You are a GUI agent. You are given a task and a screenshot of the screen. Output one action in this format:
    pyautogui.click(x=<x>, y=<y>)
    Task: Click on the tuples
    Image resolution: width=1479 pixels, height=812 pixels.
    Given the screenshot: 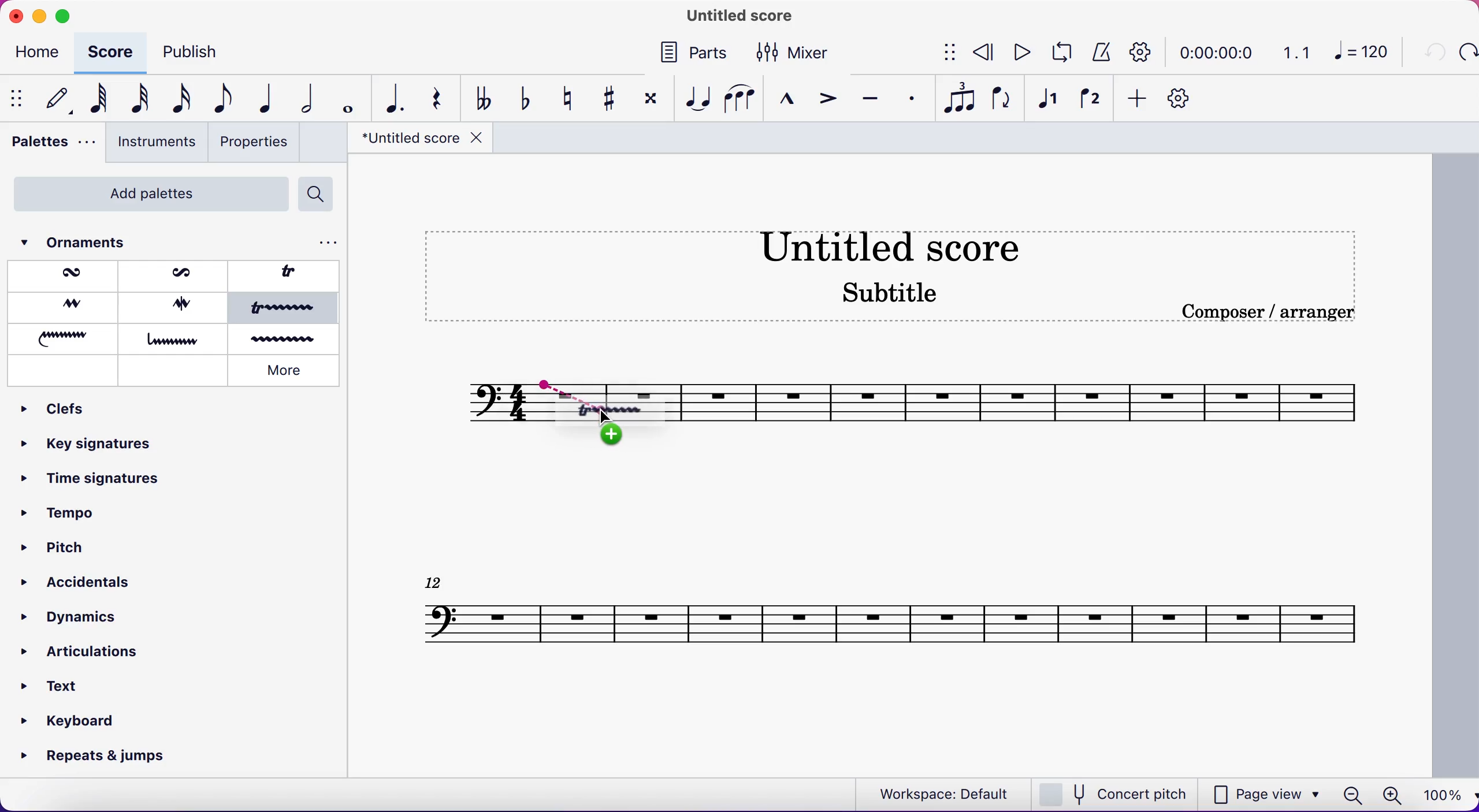 What is the action you would take?
    pyautogui.click(x=958, y=100)
    